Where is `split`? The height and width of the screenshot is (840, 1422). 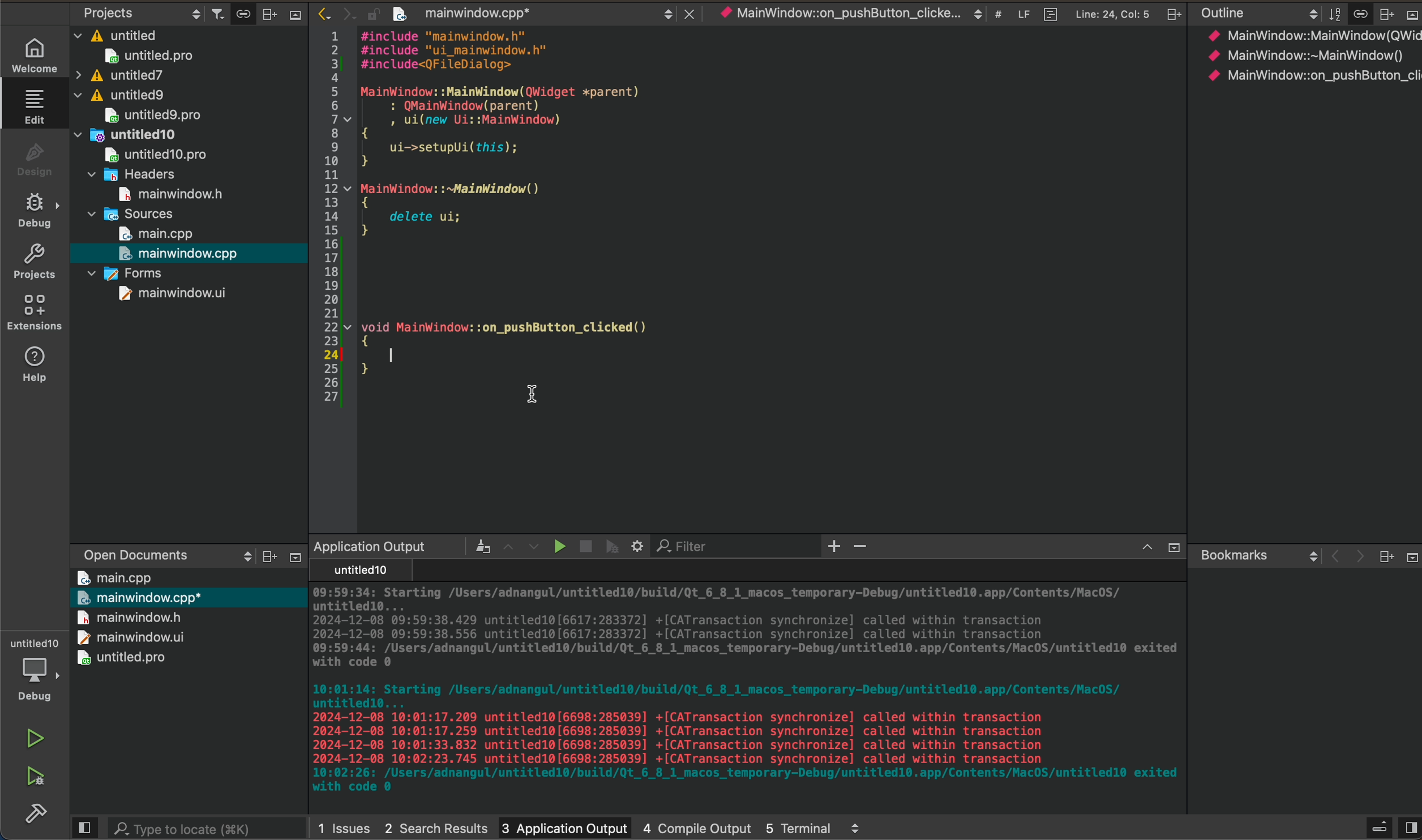 split is located at coordinates (1410, 822).